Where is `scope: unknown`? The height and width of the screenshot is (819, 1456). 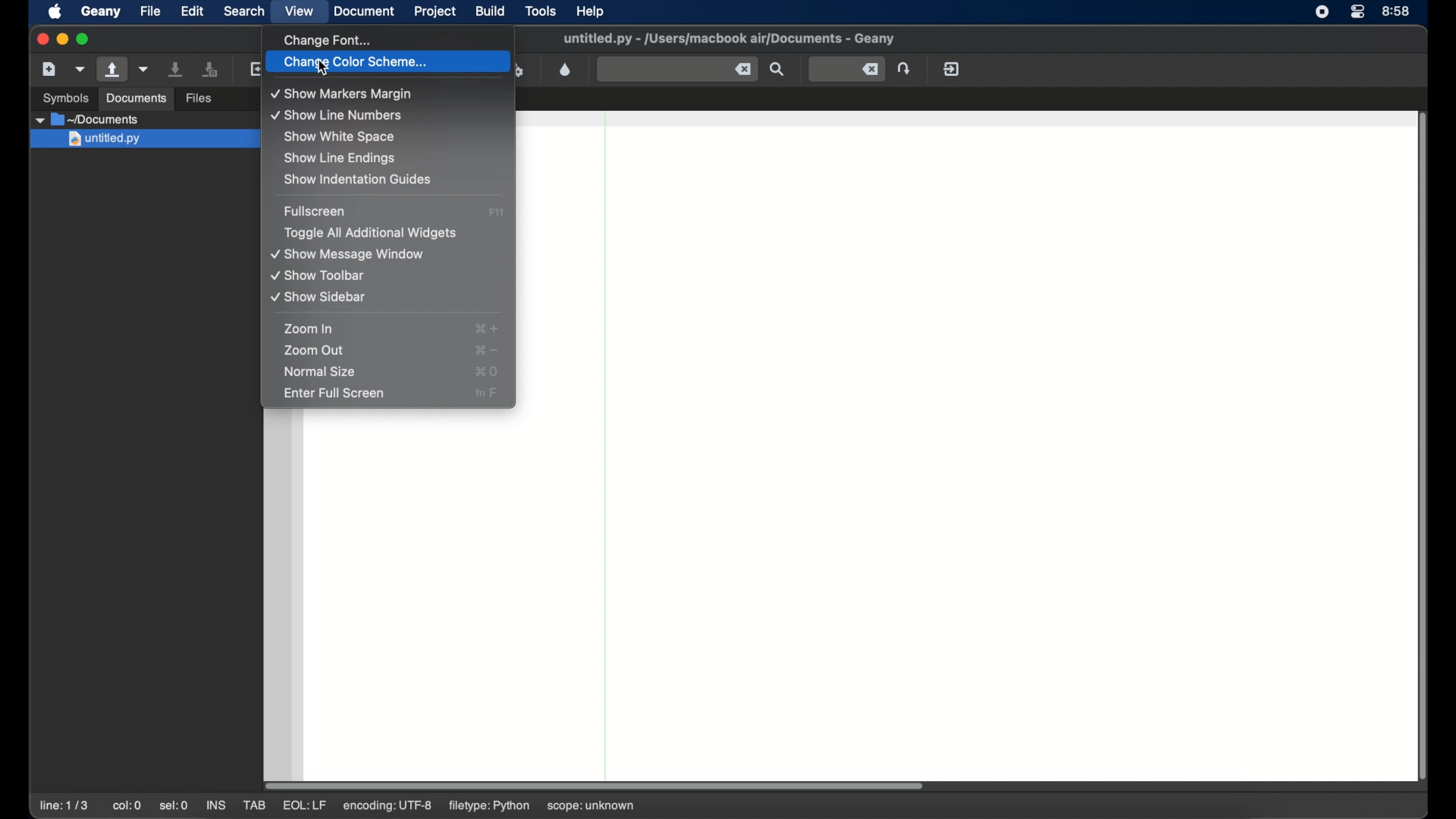 scope: unknown is located at coordinates (591, 806).